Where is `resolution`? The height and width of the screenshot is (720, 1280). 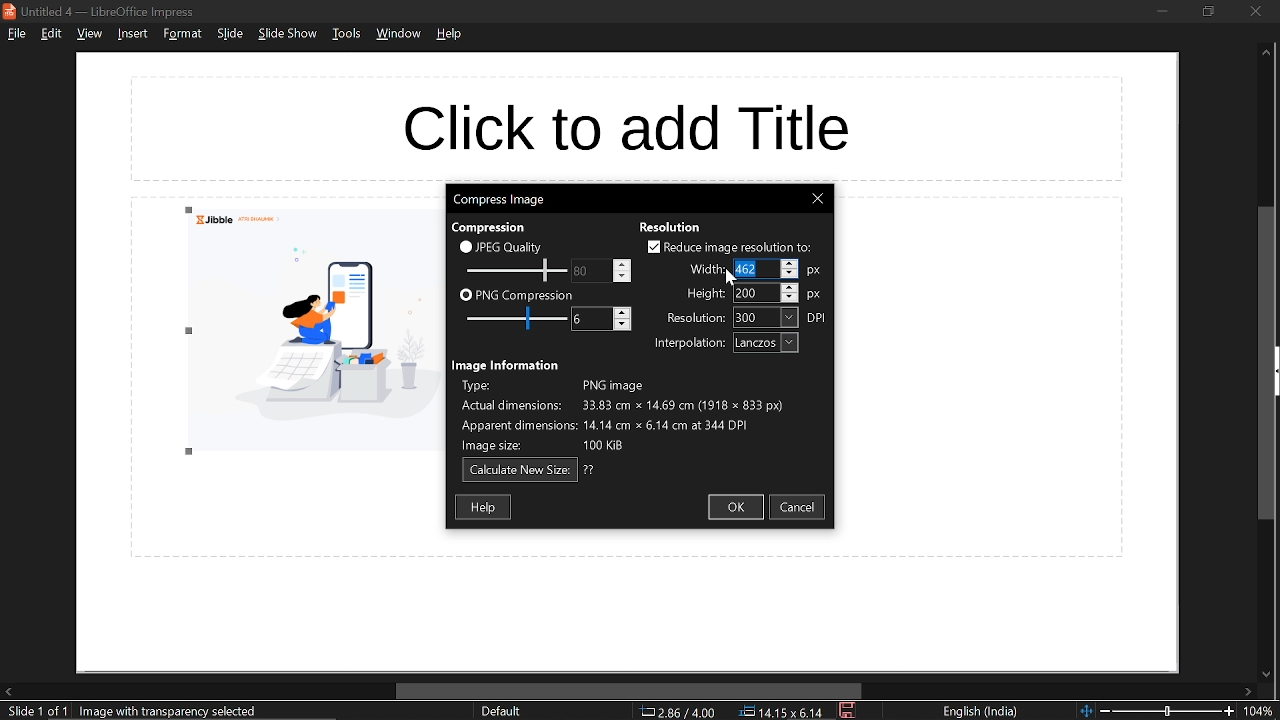 resolution is located at coordinates (766, 318).